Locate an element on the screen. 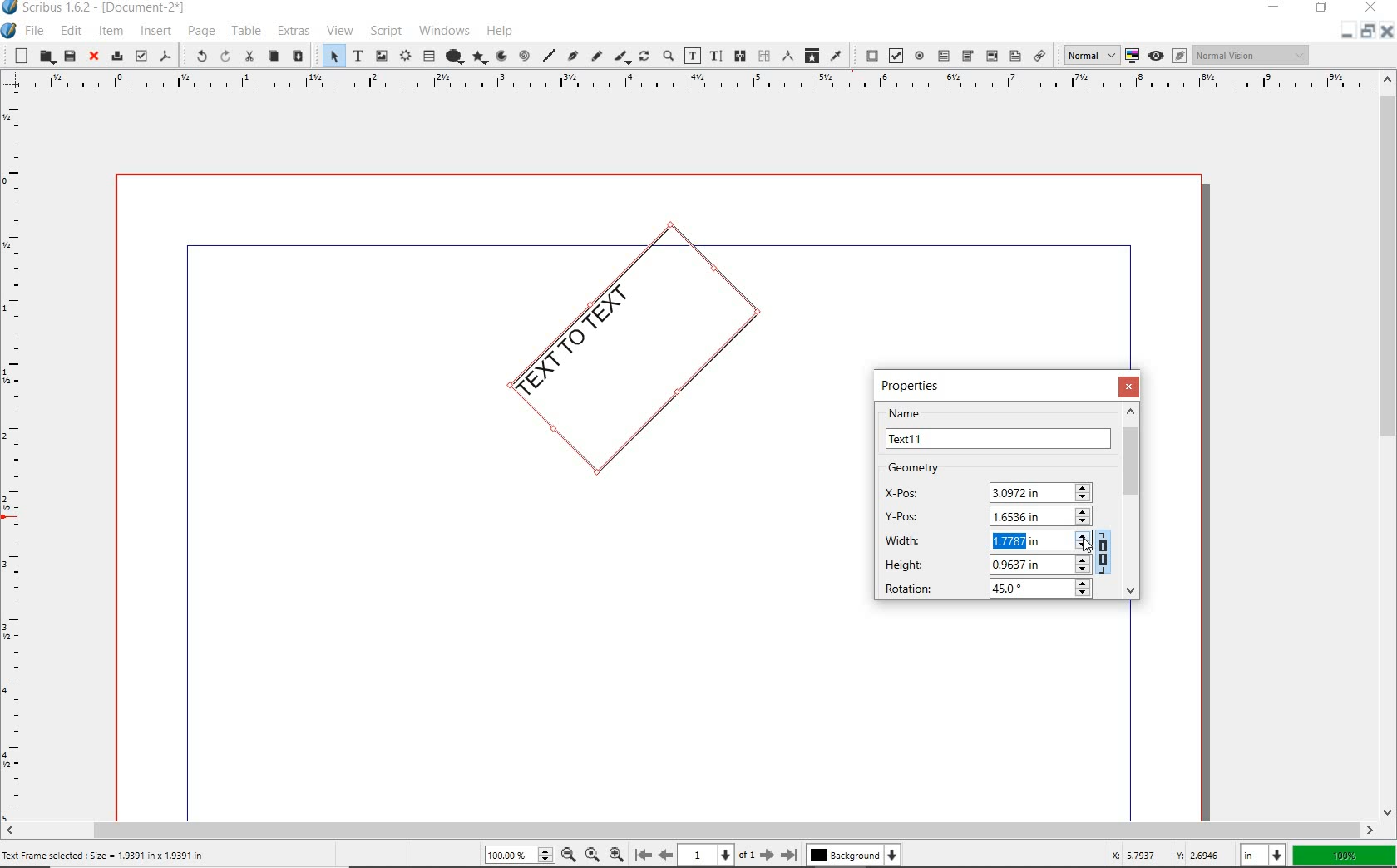 The width and height of the screenshot is (1397, 868). arc is located at coordinates (501, 57).